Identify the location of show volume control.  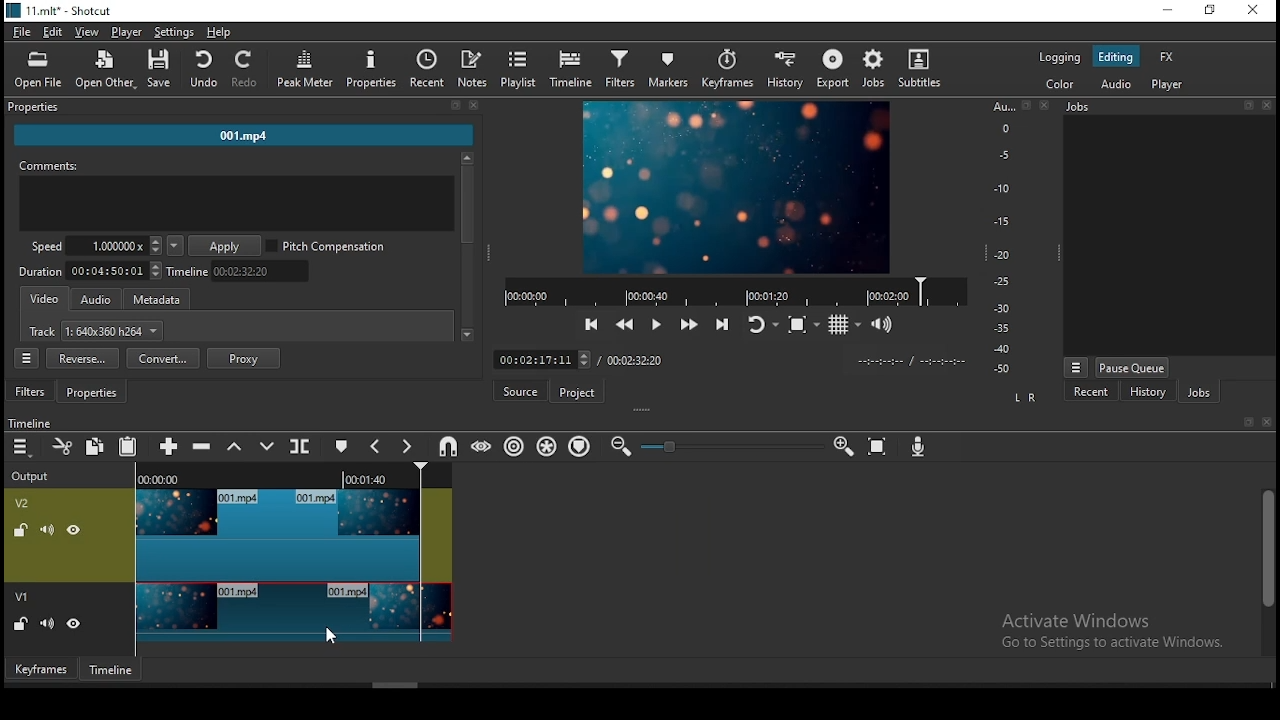
(883, 327).